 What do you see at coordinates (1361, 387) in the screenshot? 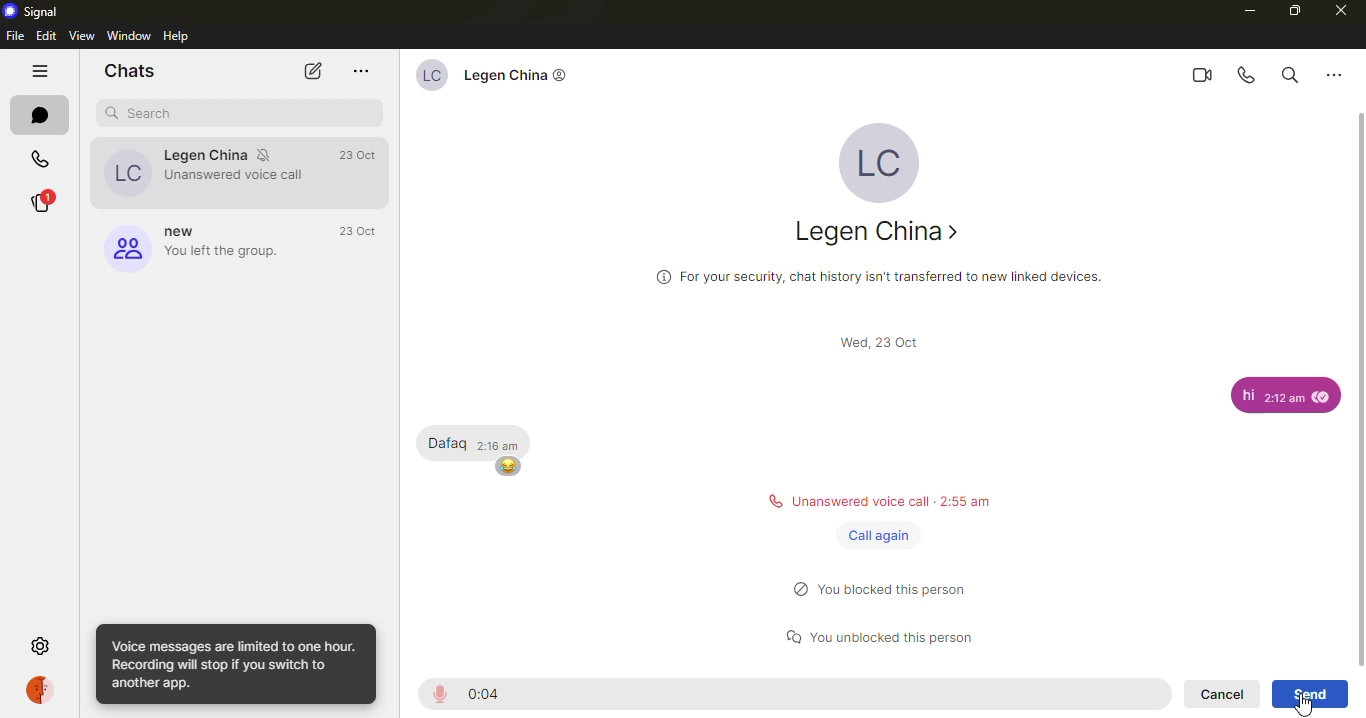
I see `scroll bar` at bounding box center [1361, 387].